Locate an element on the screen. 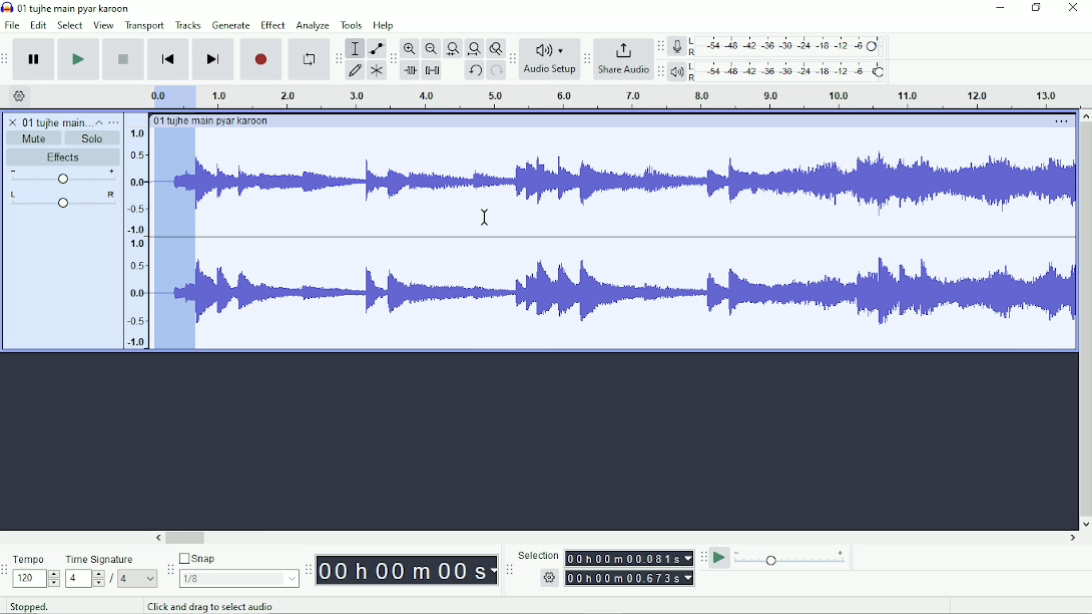 Image resolution: width=1092 pixels, height=614 pixels. Setting Logo is located at coordinates (548, 580).